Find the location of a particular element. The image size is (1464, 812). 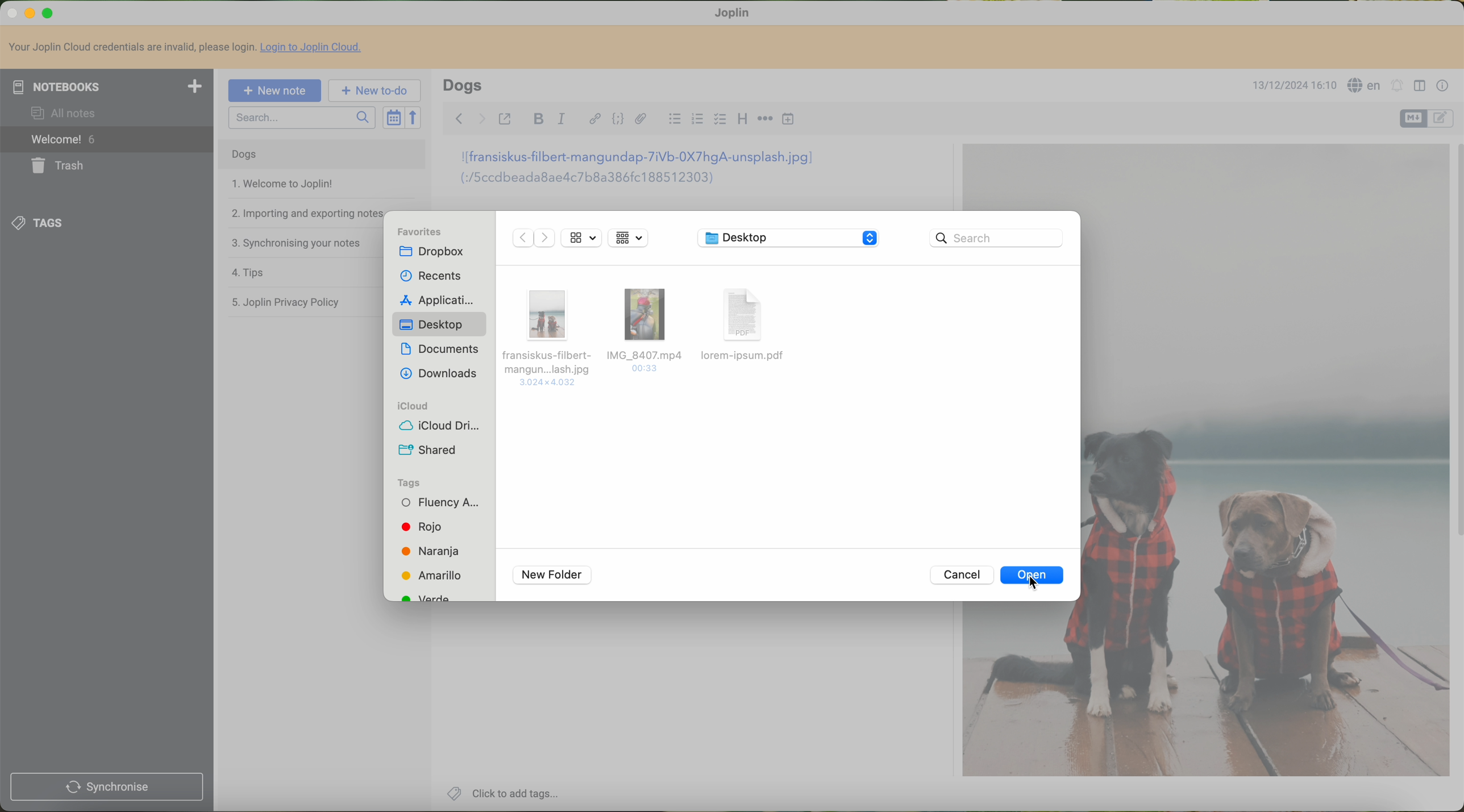

heading is located at coordinates (743, 120).